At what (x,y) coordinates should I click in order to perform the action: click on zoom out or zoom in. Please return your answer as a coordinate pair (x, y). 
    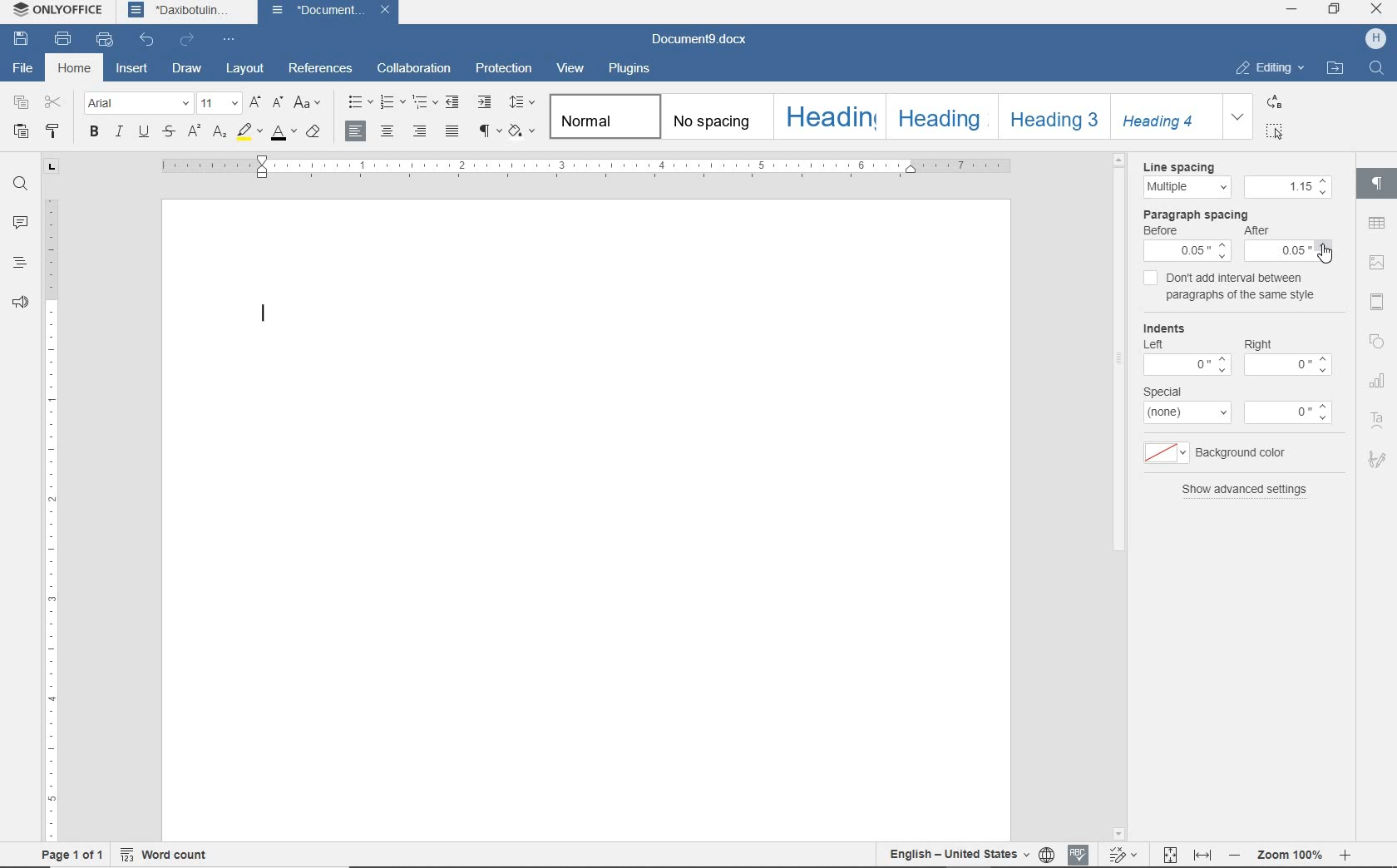
    Looking at the image, I should click on (1234, 855).